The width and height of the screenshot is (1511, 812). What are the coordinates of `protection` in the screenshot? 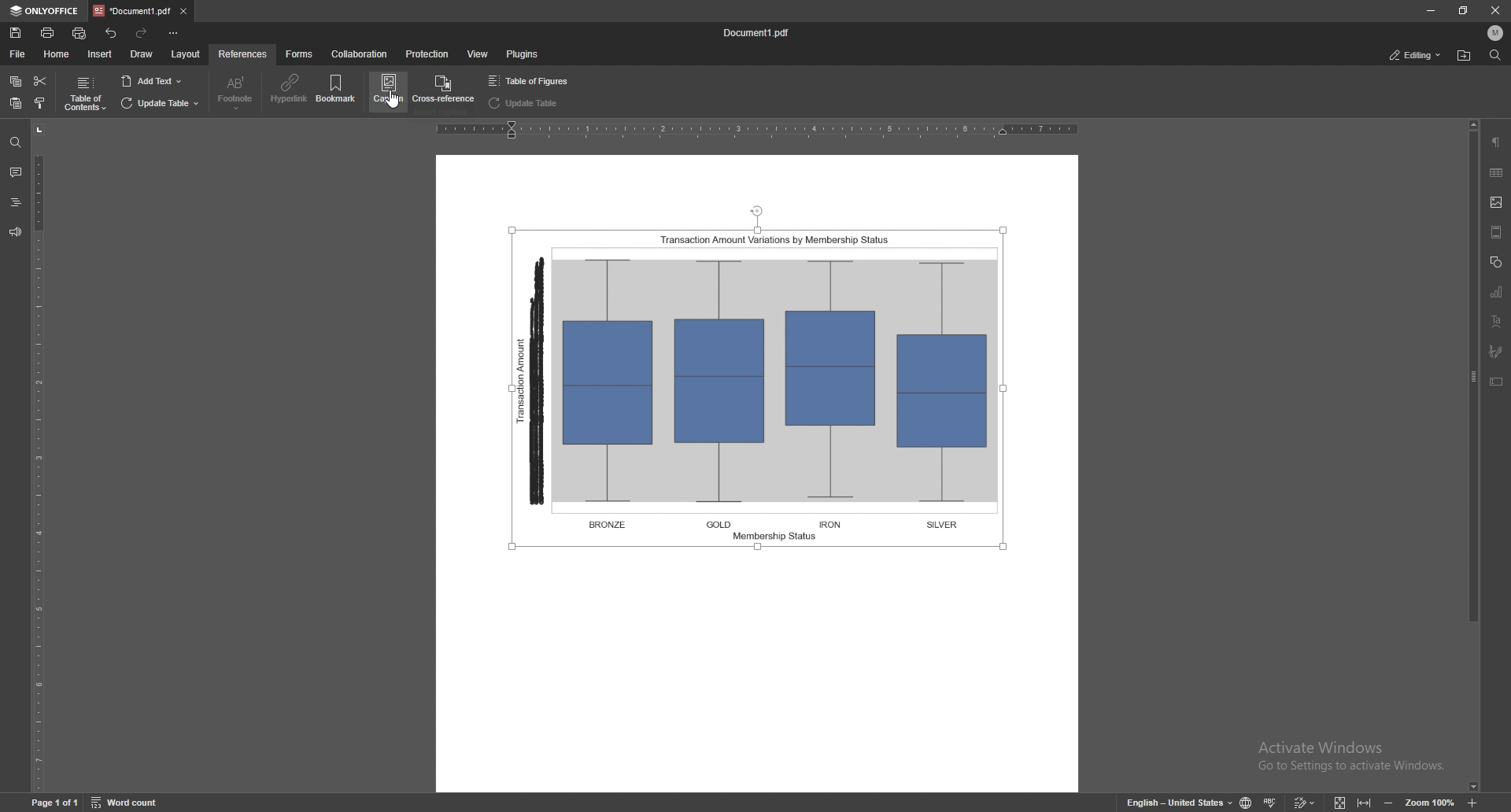 It's located at (427, 54).